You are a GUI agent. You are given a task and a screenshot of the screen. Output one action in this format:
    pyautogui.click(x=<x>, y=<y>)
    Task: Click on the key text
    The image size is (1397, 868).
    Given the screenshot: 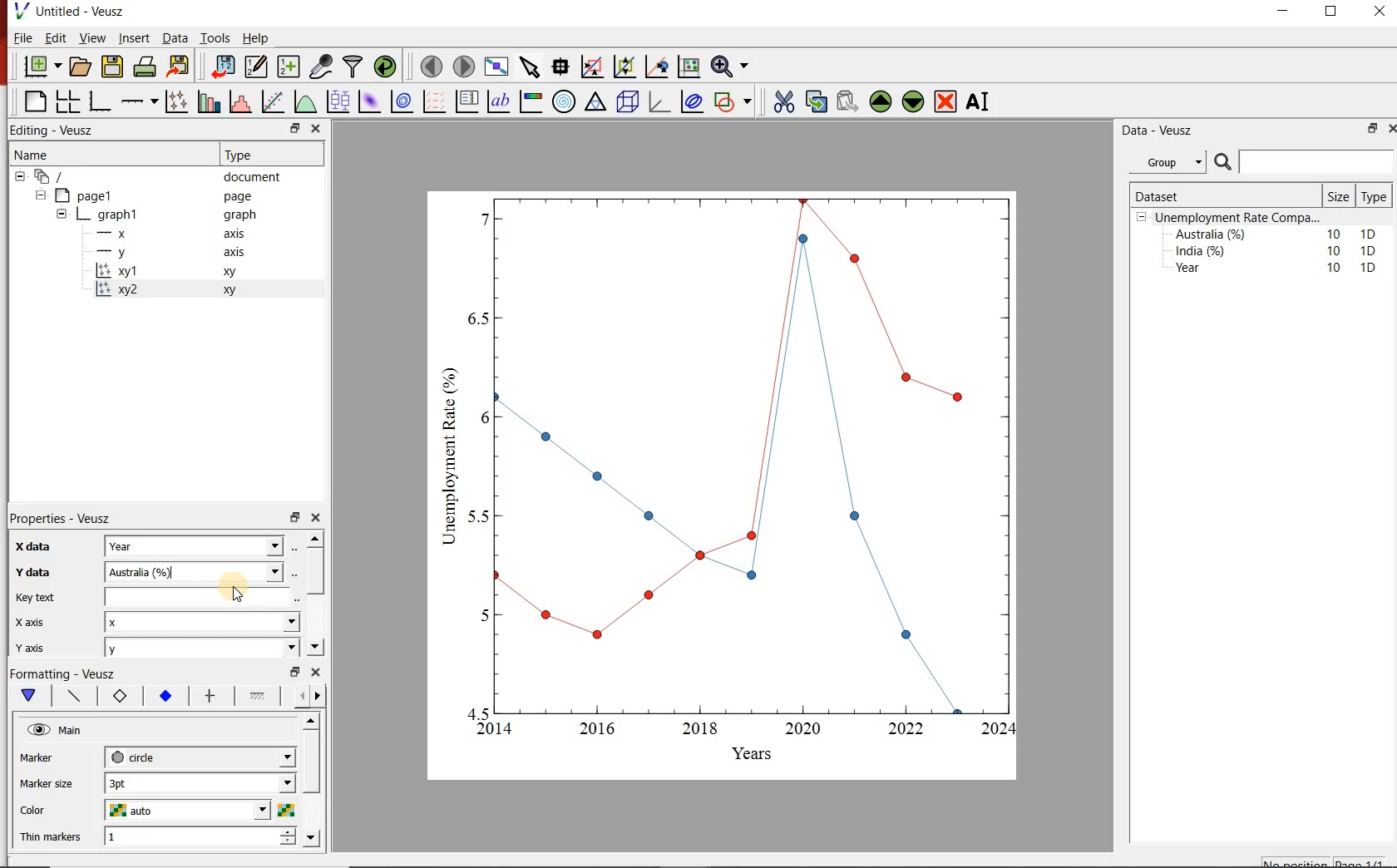 What is the action you would take?
    pyautogui.click(x=34, y=598)
    